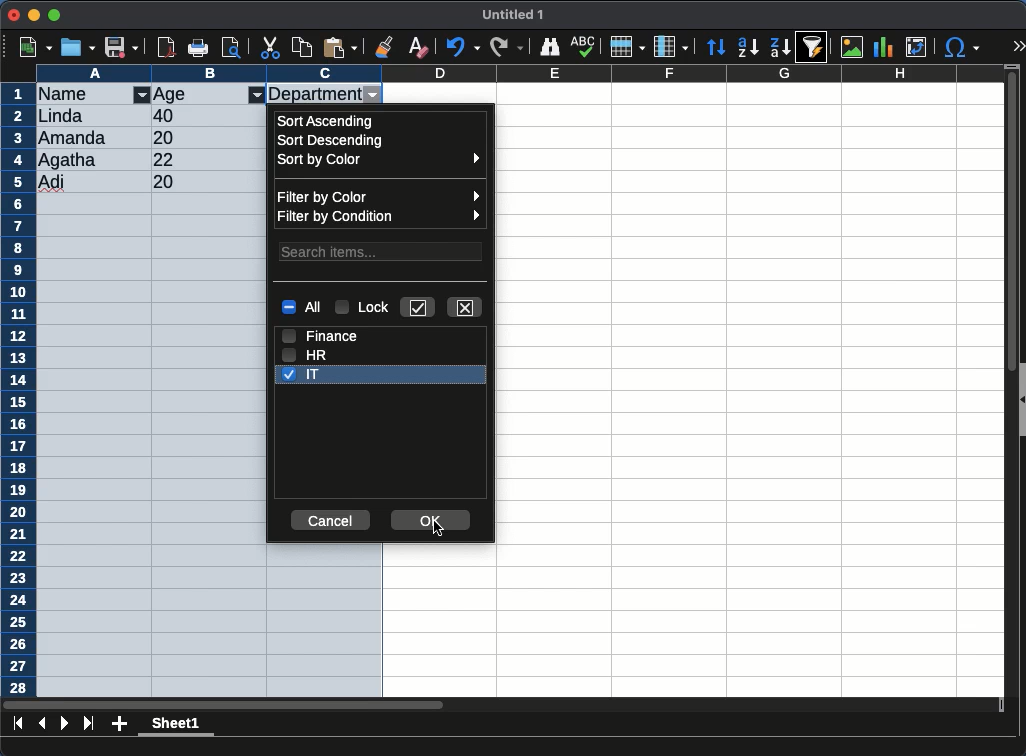 Image resolution: width=1026 pixels, height=756 pixels. What do you see at coordinates (378, 162) in the screenshot?
I see `sort by color` at bounding box center [378, 162].